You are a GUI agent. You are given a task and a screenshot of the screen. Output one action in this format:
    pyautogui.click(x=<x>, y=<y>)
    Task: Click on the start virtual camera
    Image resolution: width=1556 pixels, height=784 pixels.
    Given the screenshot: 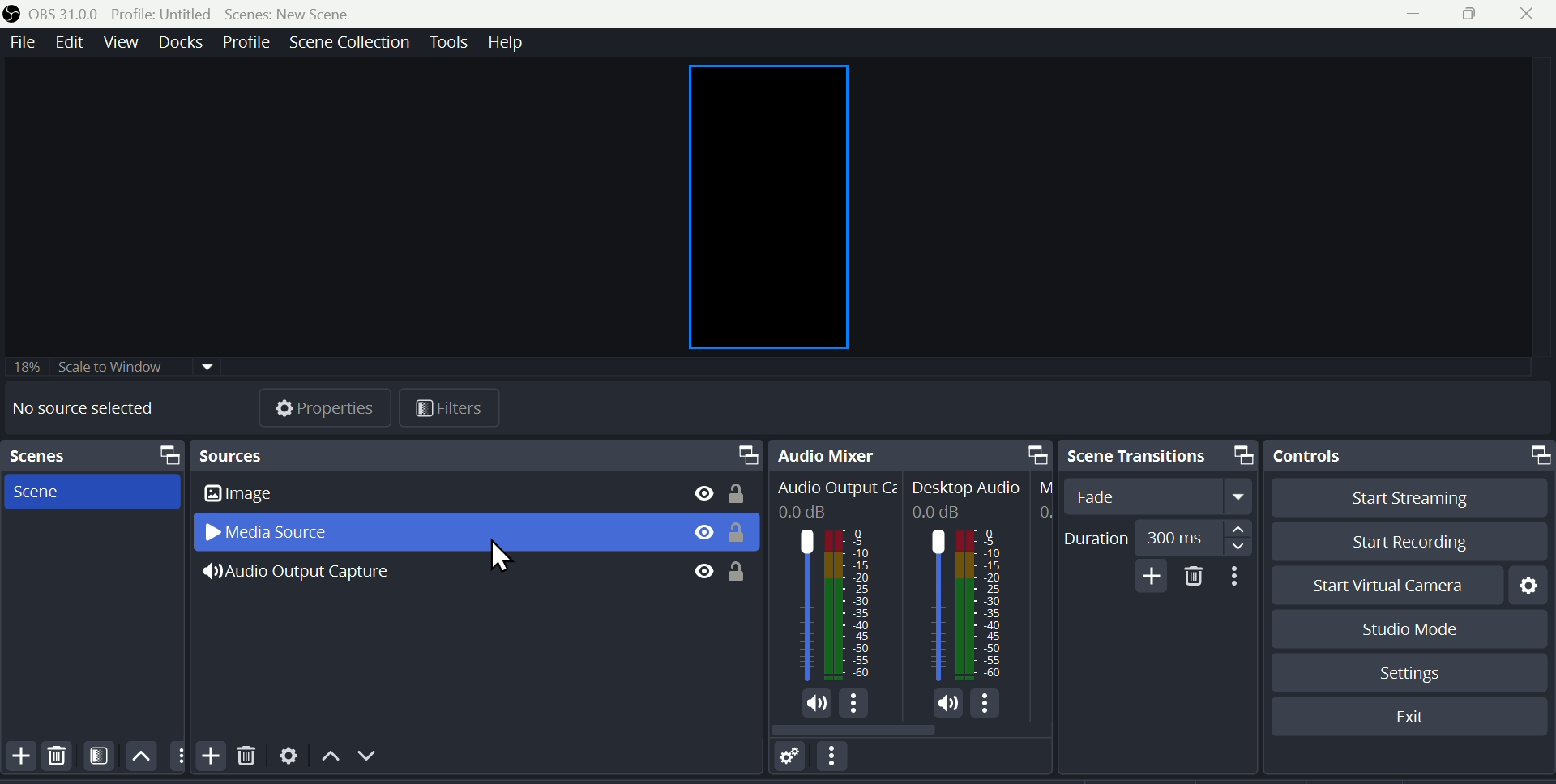 What is the action you would take?
    pyautogui.click(x=1379, y=585)
    